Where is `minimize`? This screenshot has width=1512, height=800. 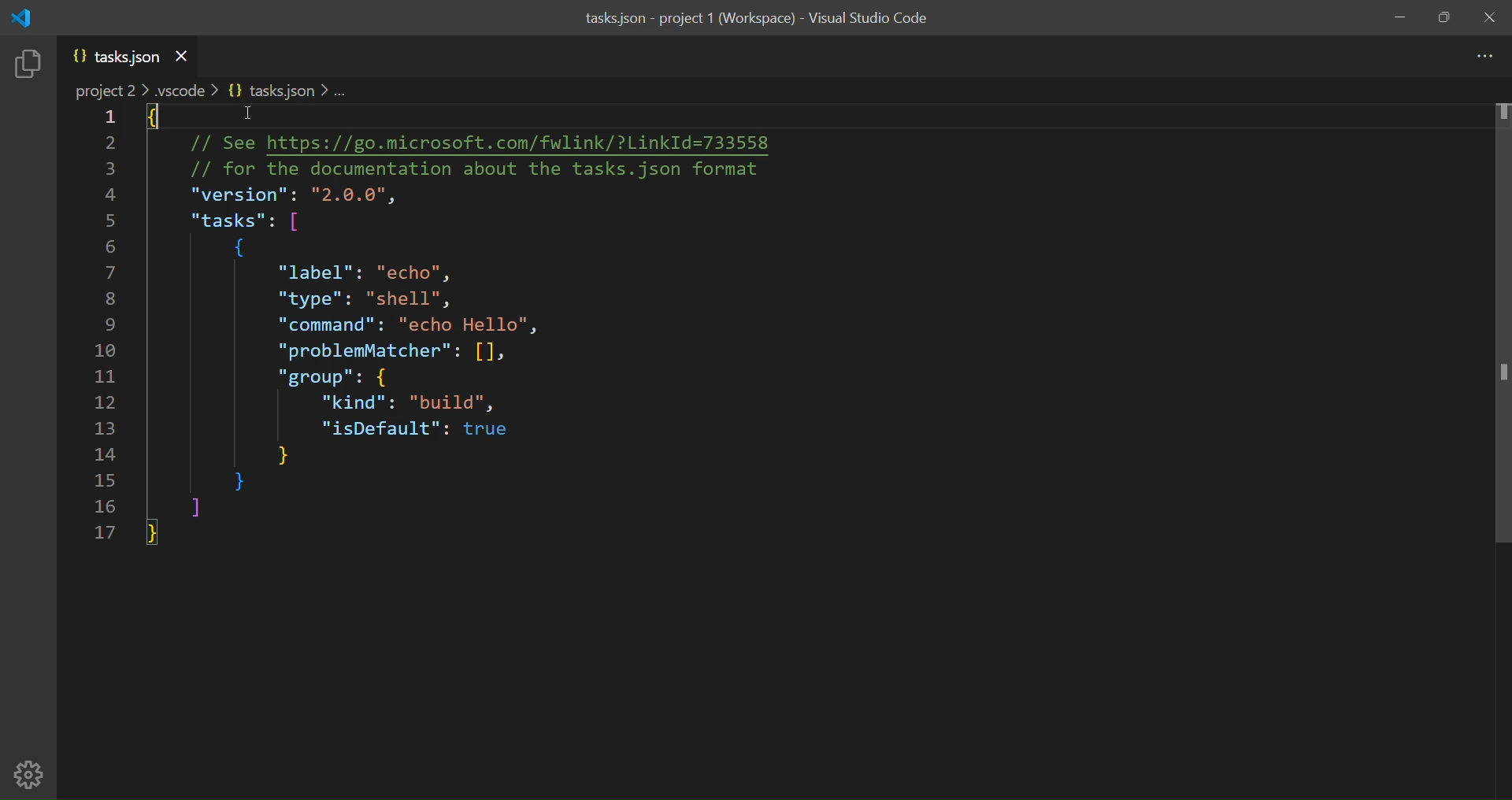 minimize is located at coordinates (1396, 16).